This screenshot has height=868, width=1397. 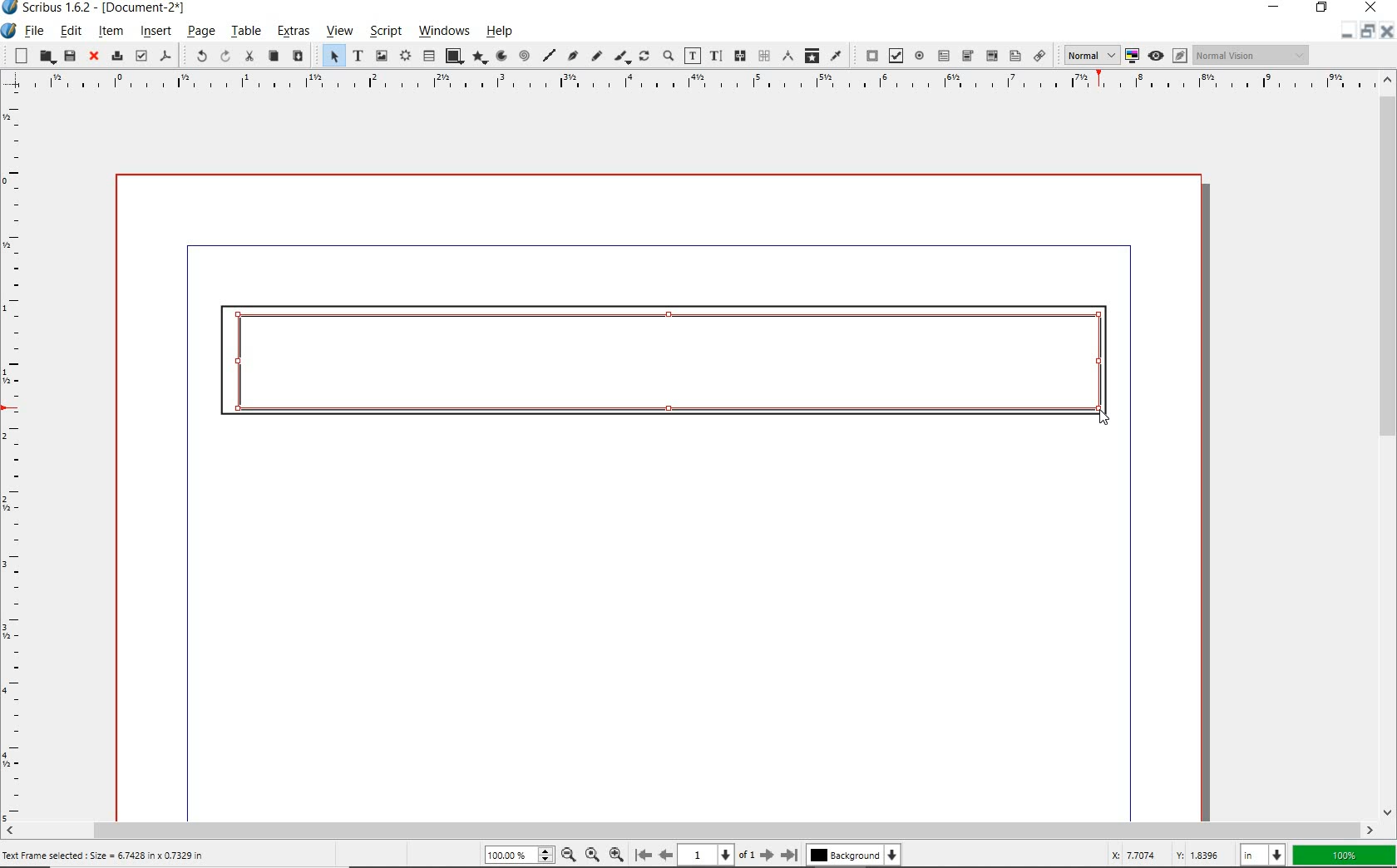 I want to click on move to previous, so click(x=665, y=853).